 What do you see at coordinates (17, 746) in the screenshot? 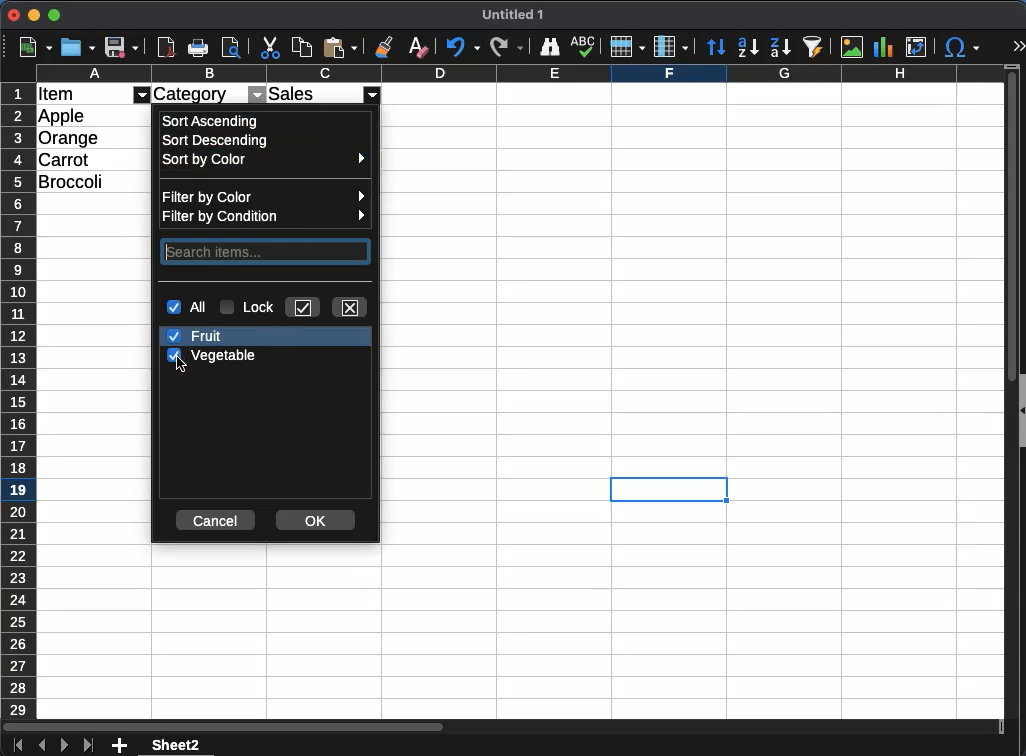
I see `first sheet` at bounding box center [17, 746].